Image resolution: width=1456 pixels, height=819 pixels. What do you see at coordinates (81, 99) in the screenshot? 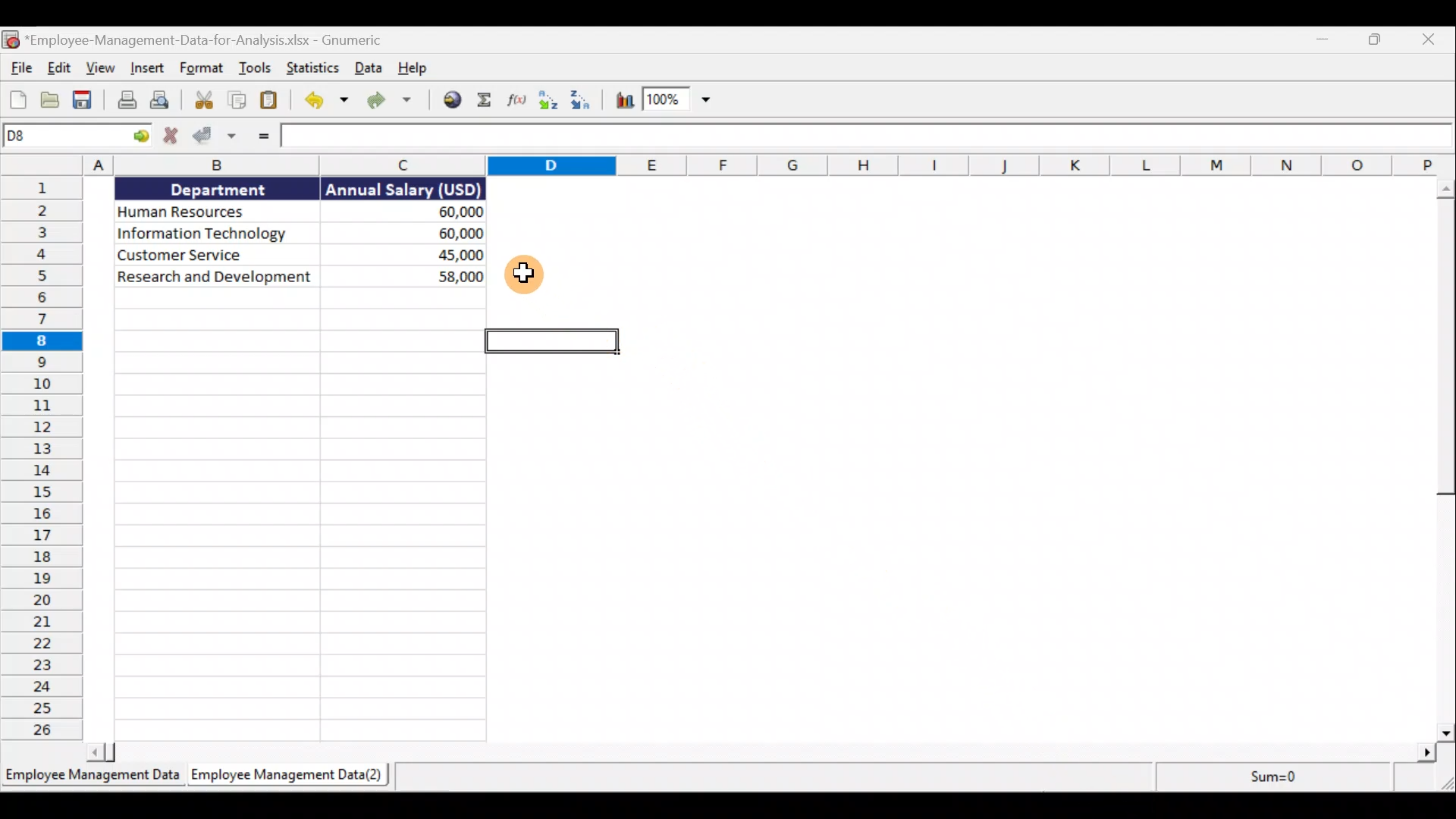
I see `Save the current workbook` at bounding box center [81, 99].